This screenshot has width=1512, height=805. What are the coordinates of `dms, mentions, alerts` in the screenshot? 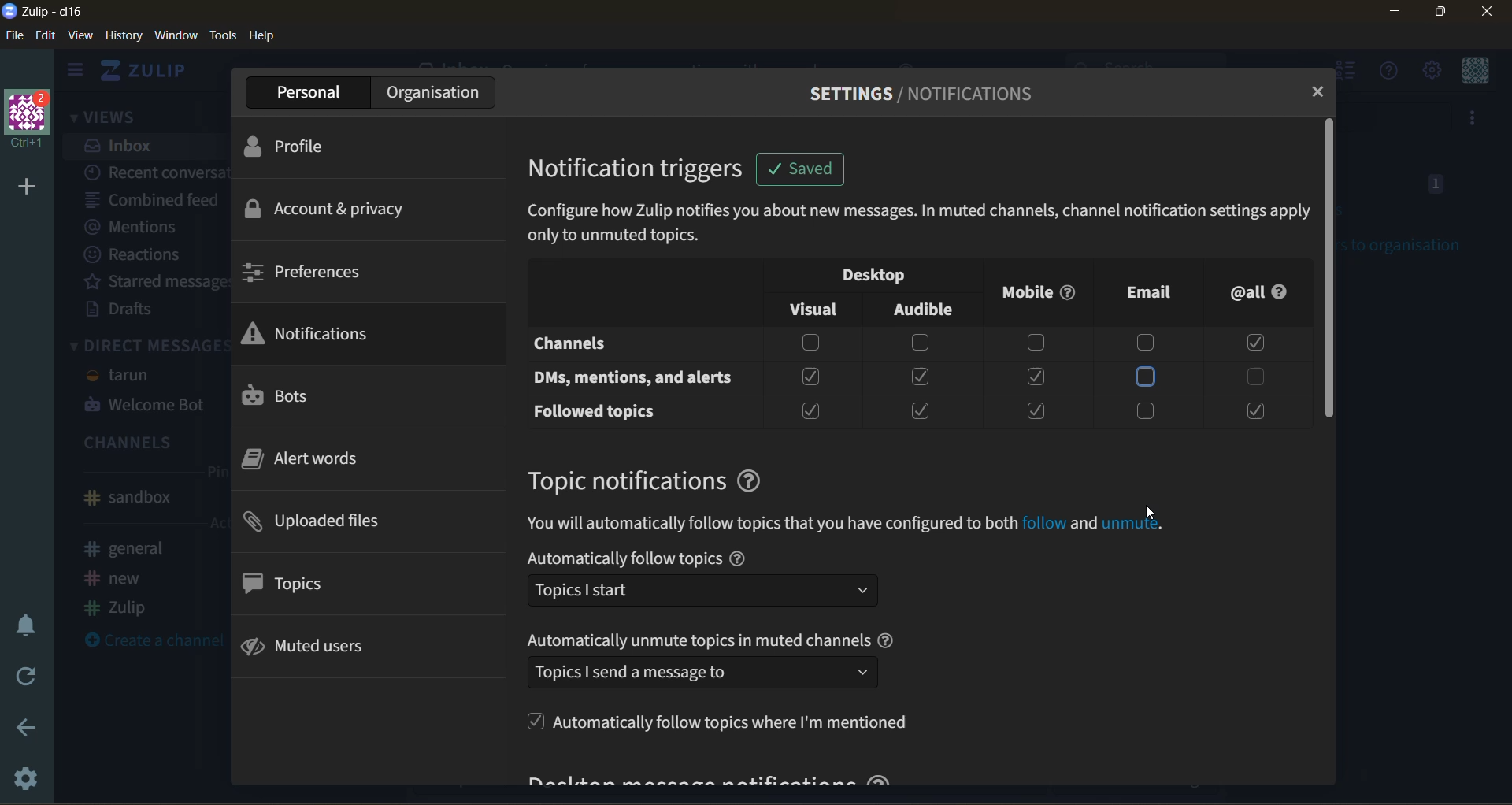 It's located at (633, 377).